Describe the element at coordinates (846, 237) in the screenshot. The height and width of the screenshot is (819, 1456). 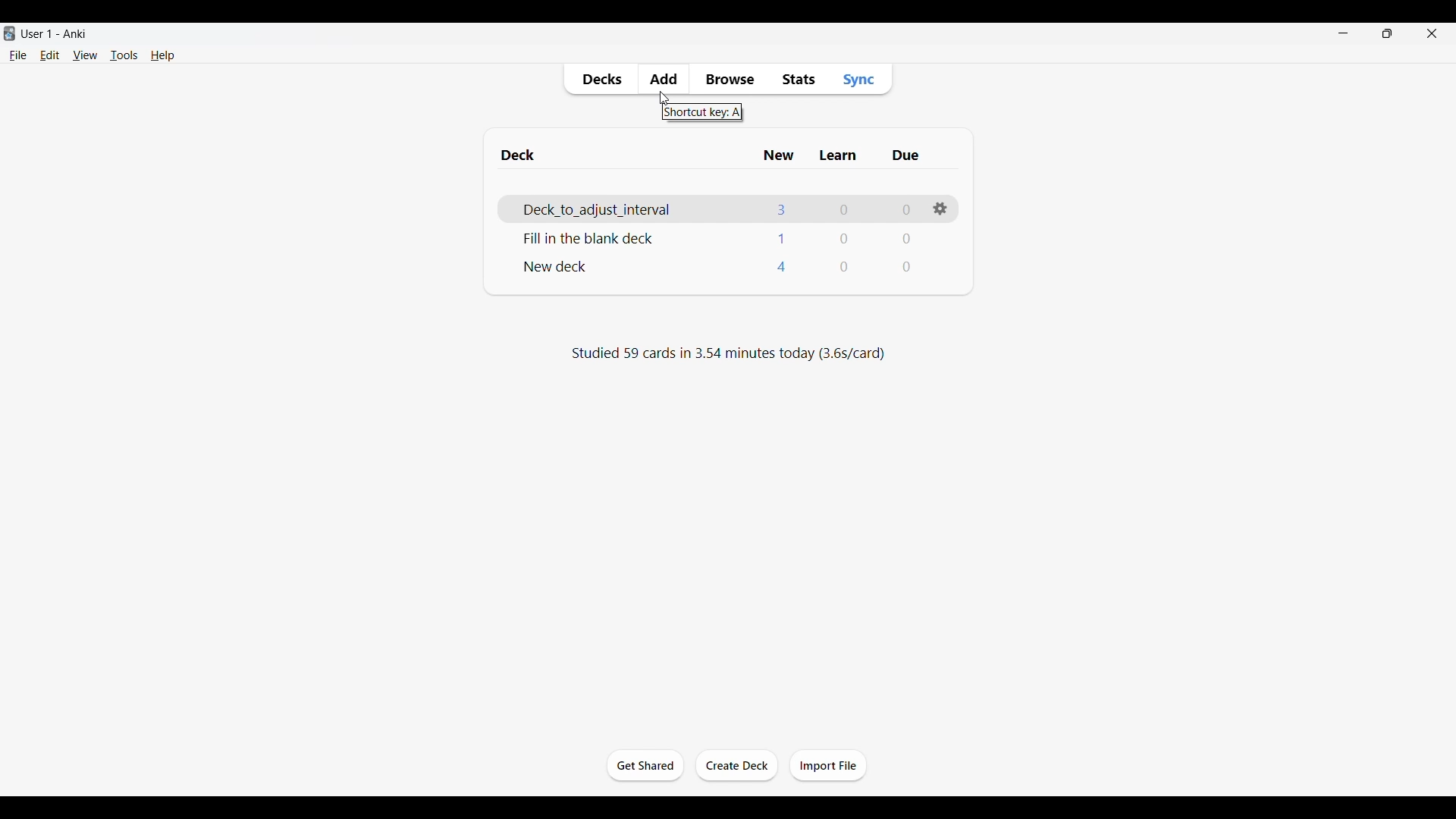
I see `Details specific to each column and deck` at that location.